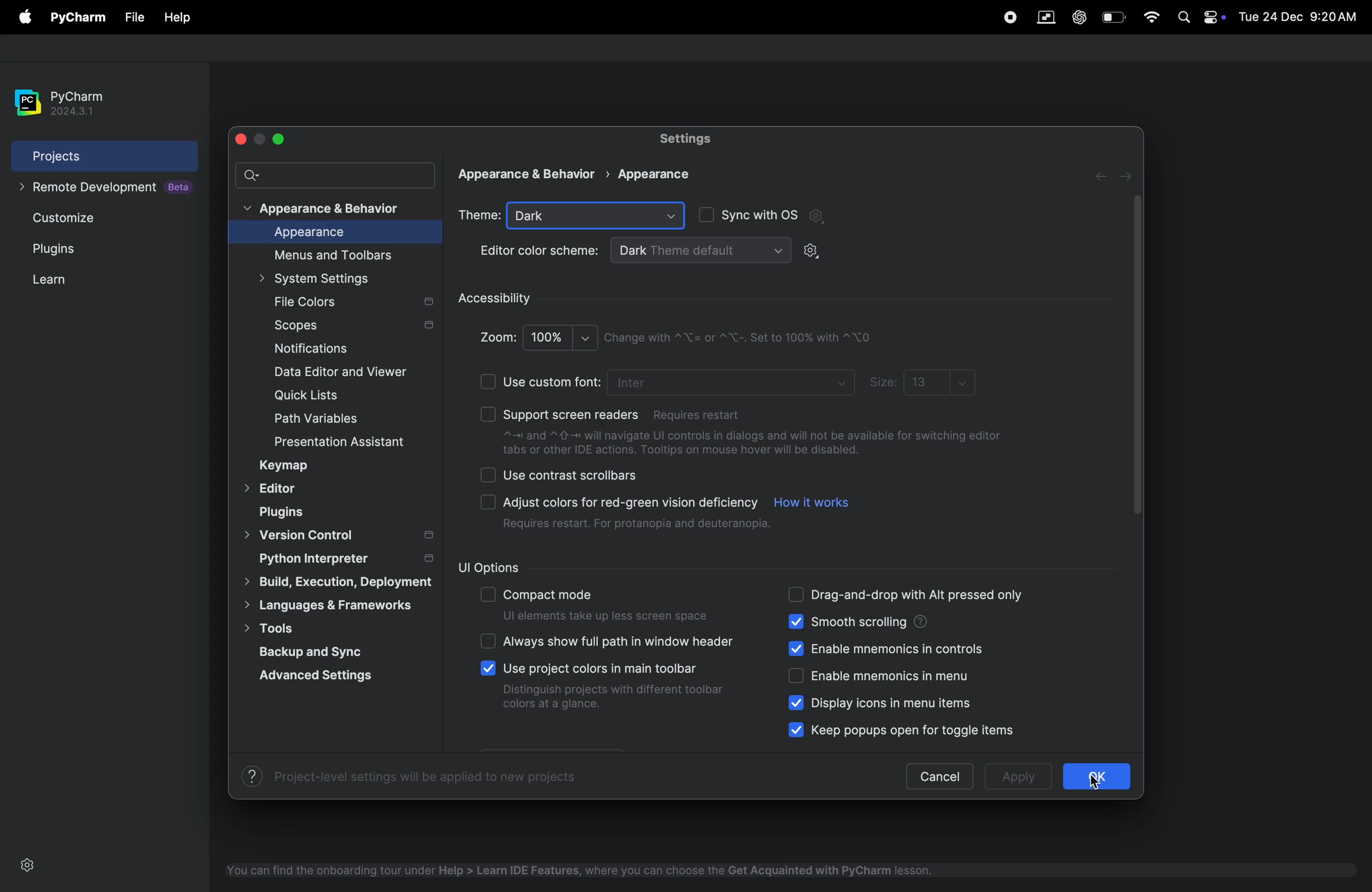 The width and height of the screenshot is (1372, 892). What do you see at coordinates (274, 490) in the screenshot?
I see `editor` at bounding box center [274, 490].